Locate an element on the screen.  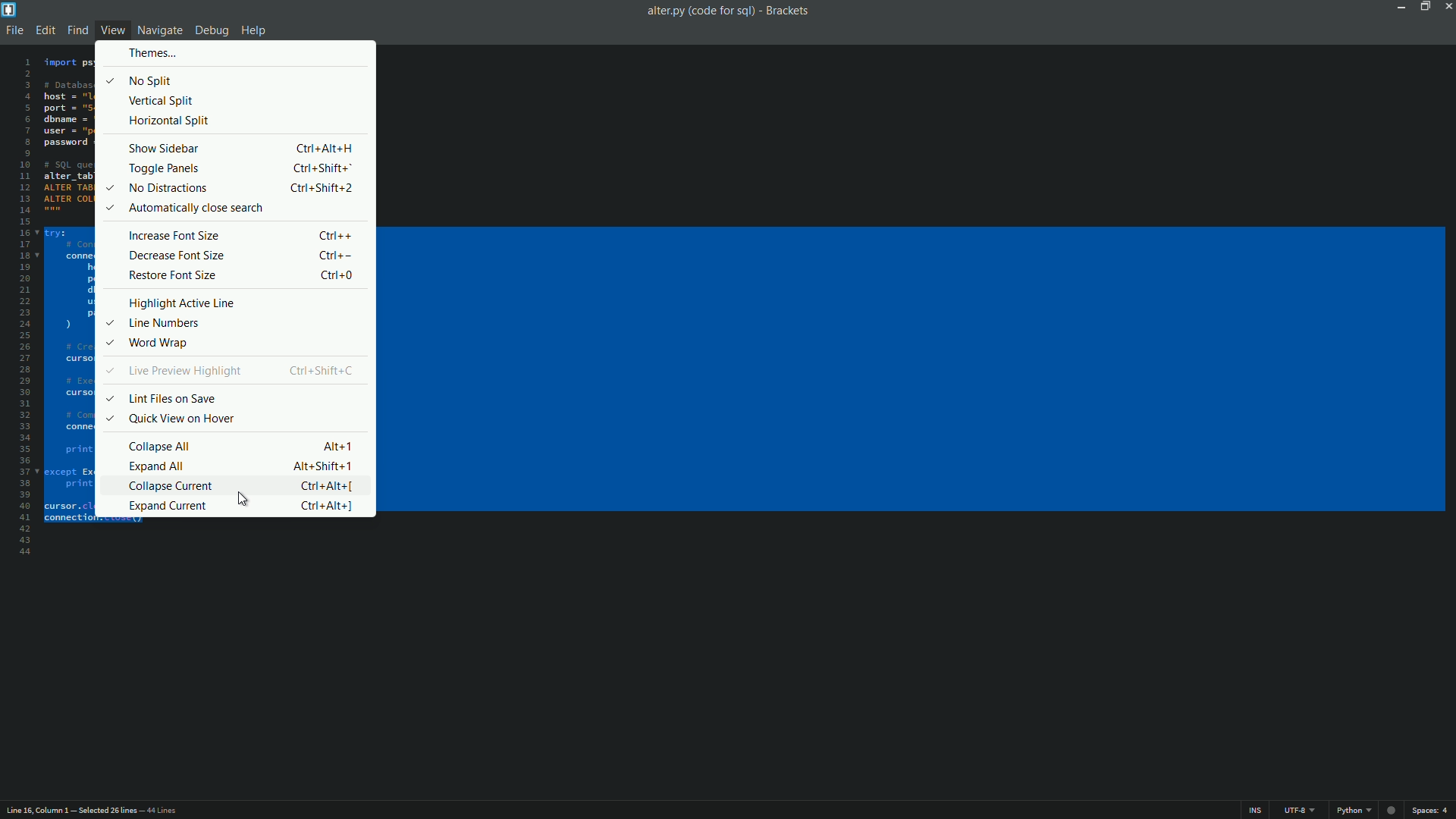
keyboard shortcut is located at coordinates (339, 275).